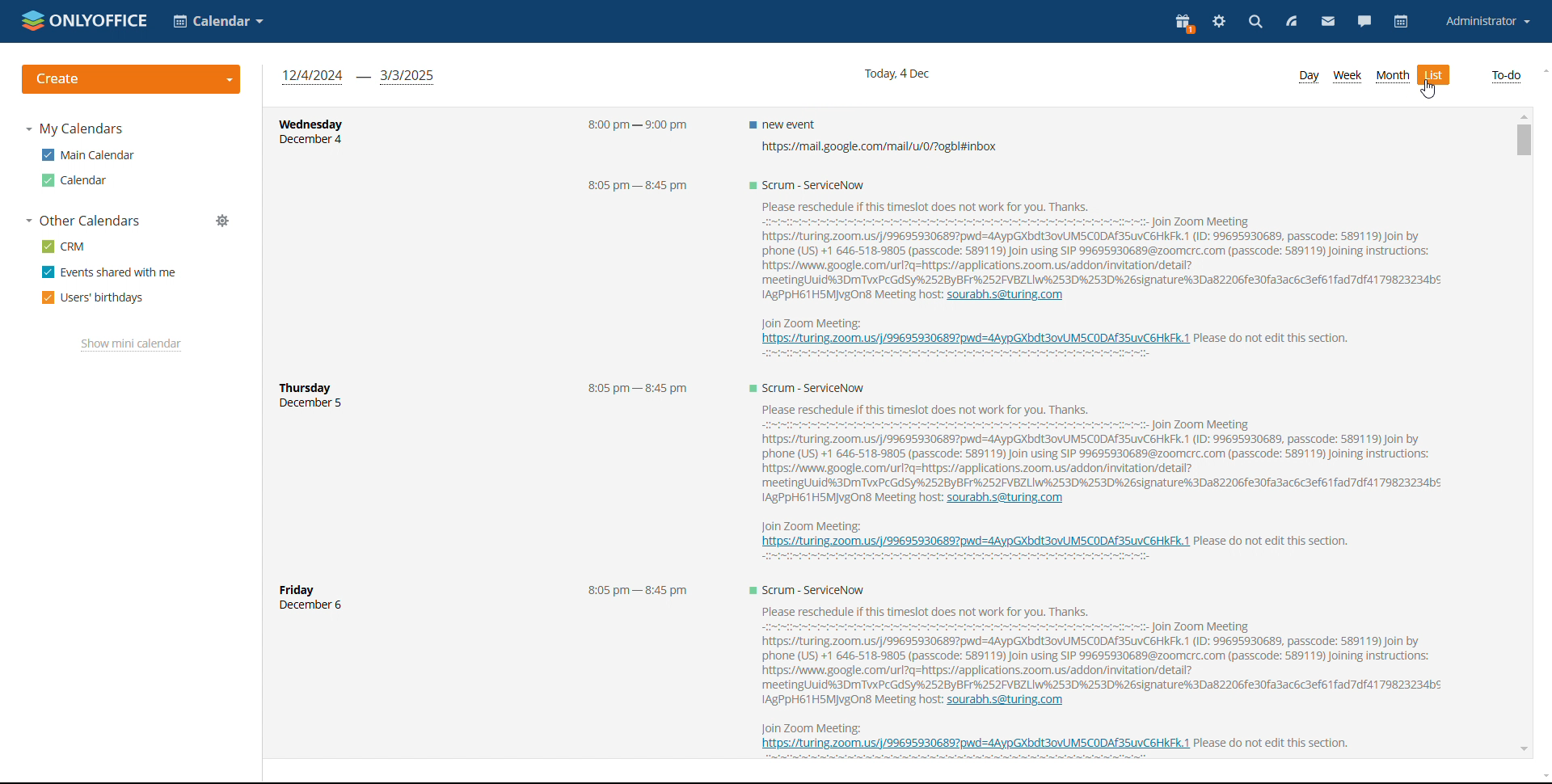 This screenshot has width=1552, height=784. What do you see at coordinates (1308, 76) in the screenshot?
I see `day` at bounding box center [1308, 76].